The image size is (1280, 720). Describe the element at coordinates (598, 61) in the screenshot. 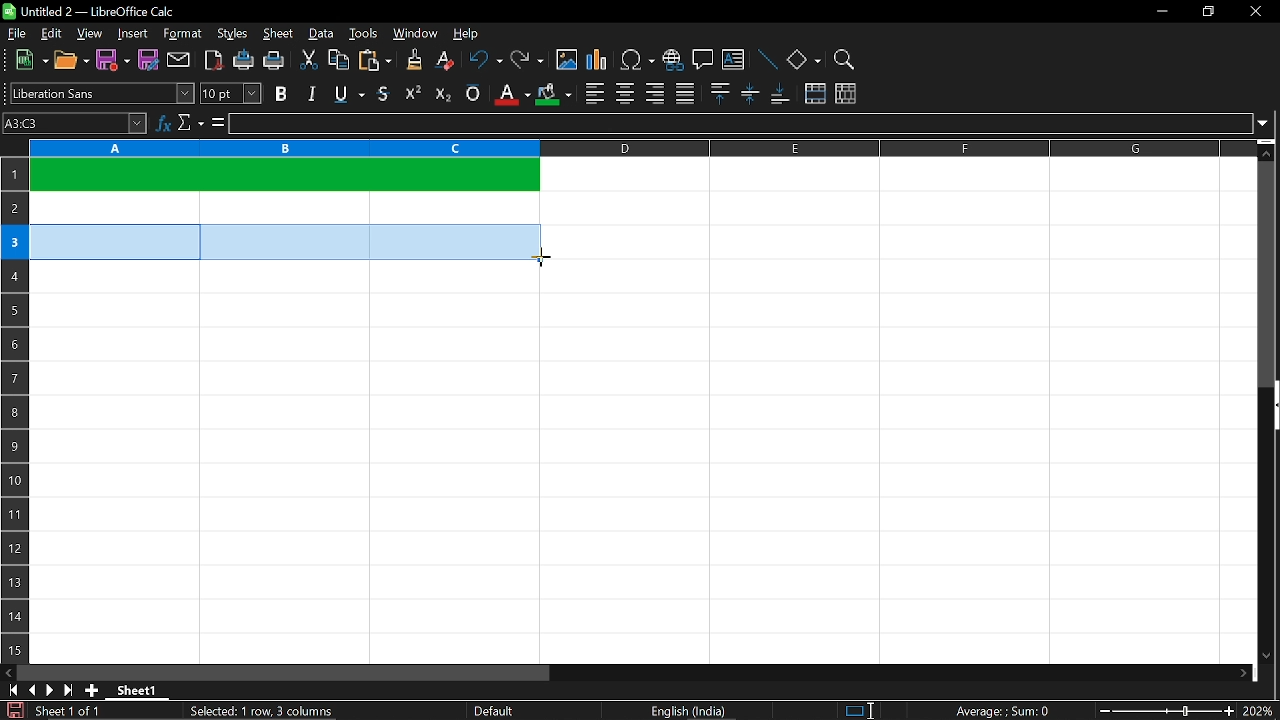

I see `insert chart` at that location.